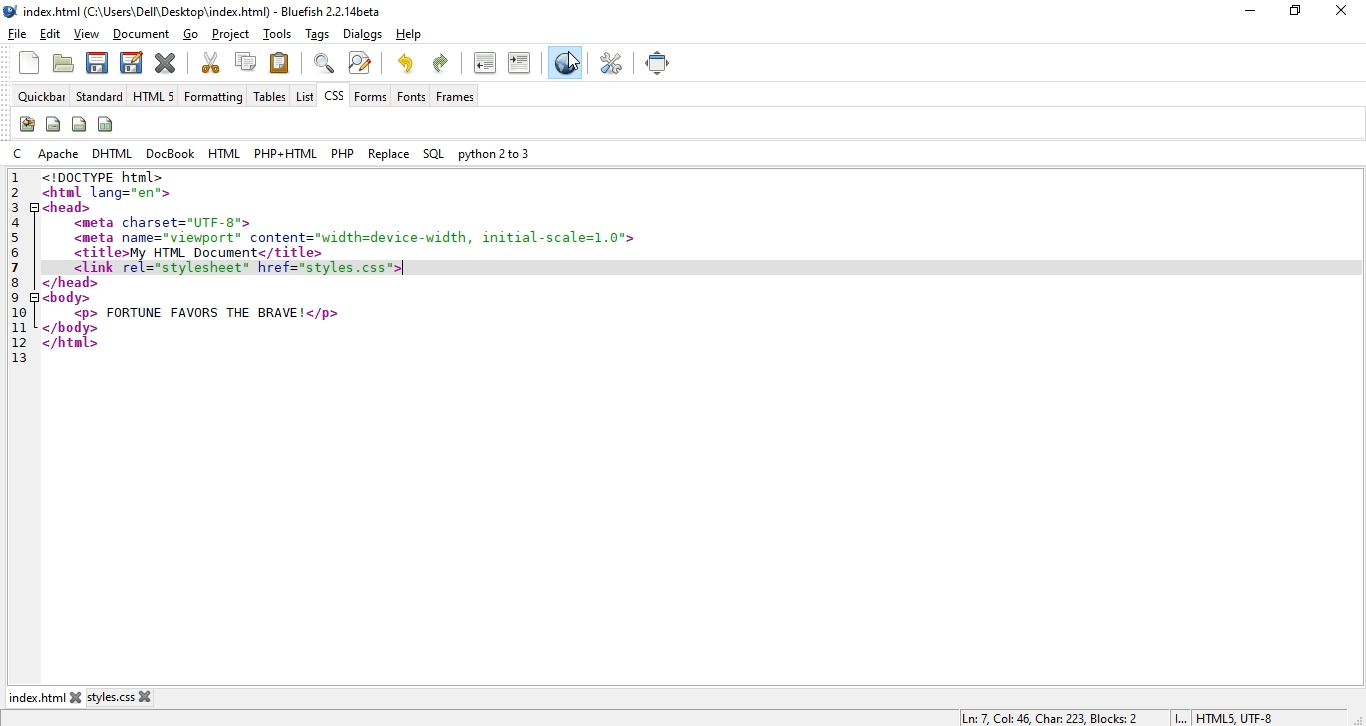  Describe the element at coordinates (31, 63) in the screenshot. I see `new file` at that location.